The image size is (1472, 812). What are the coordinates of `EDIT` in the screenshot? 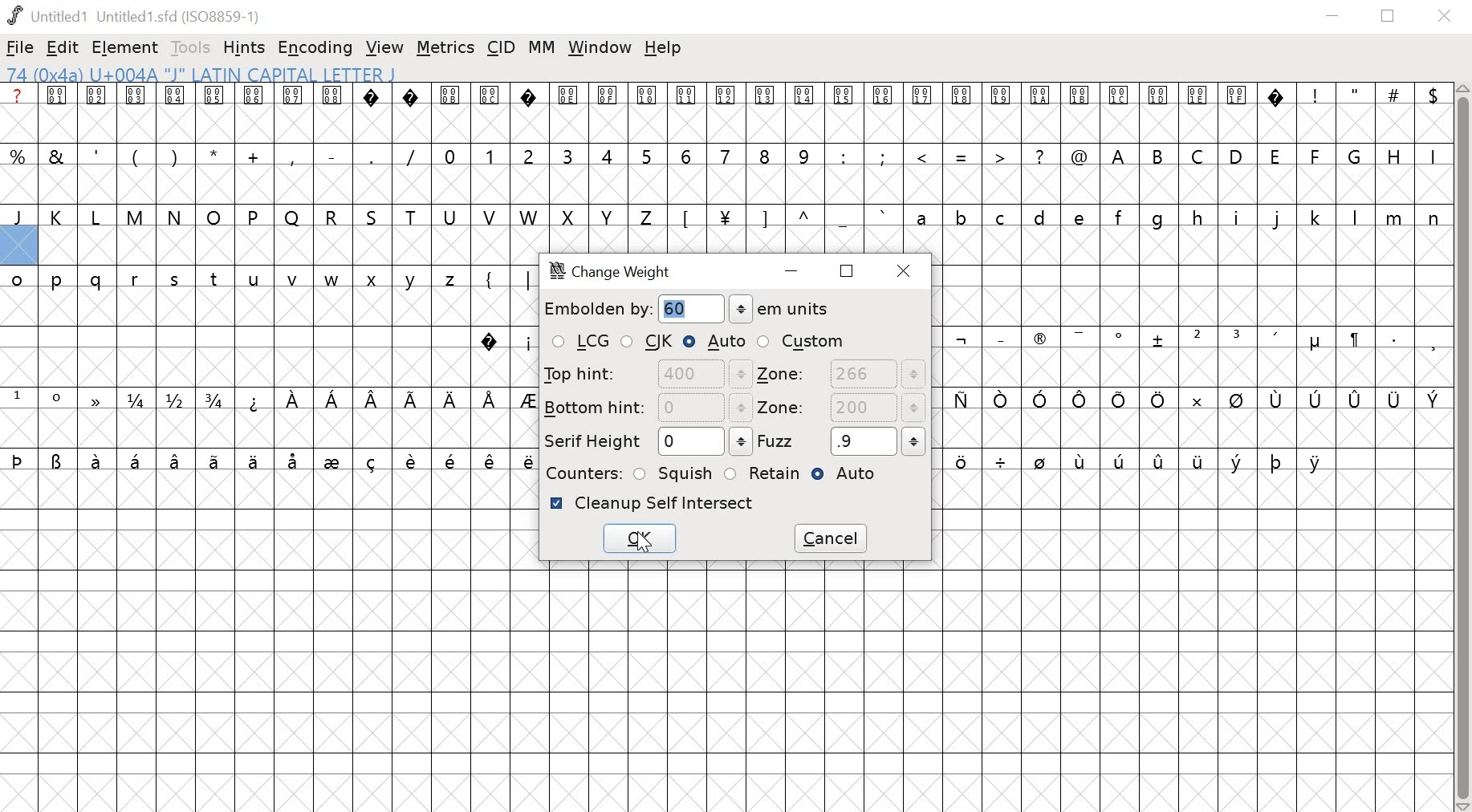 It's located at (63, 49).